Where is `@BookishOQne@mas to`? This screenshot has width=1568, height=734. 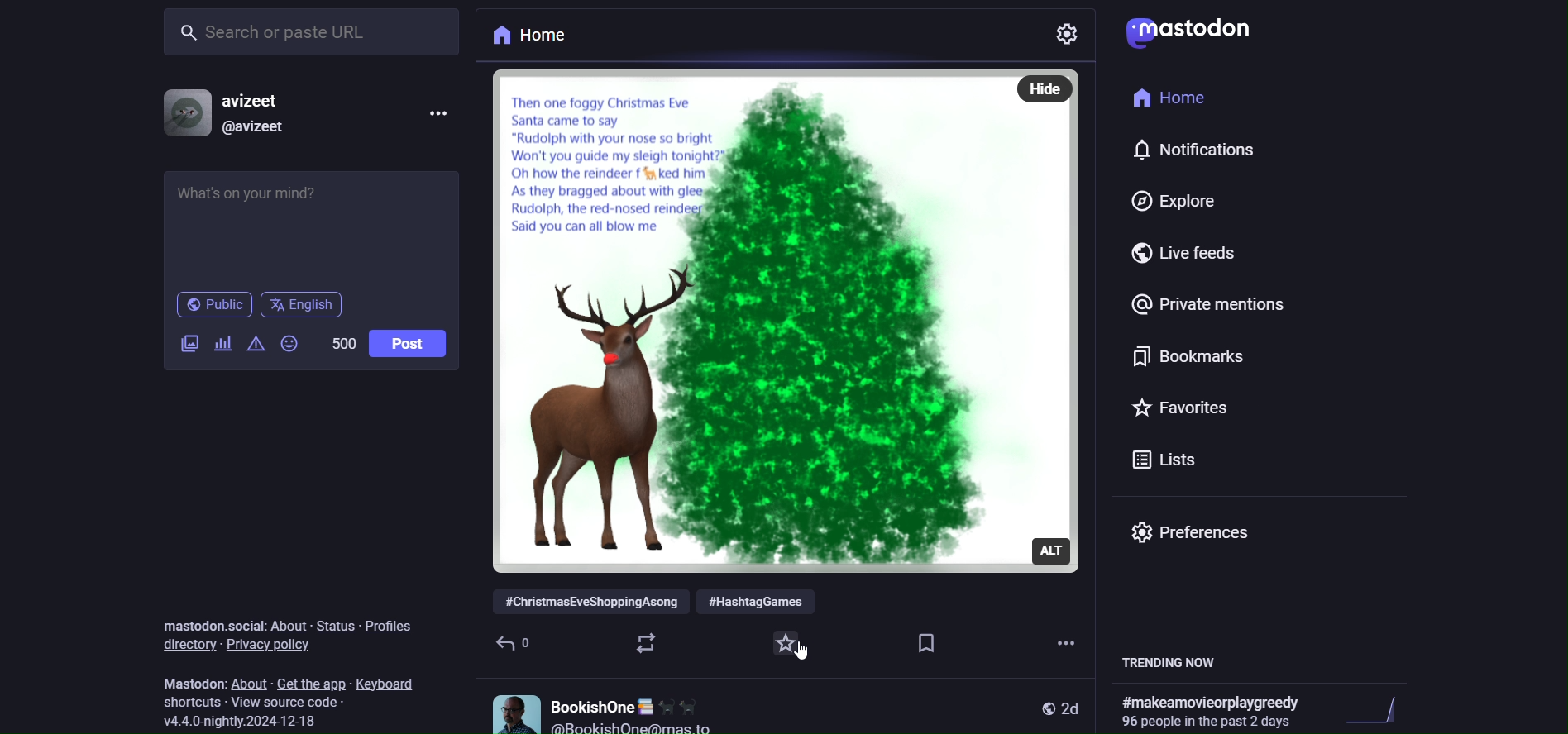 @BookishOQne@mas to is located at coordinates (635, 727).